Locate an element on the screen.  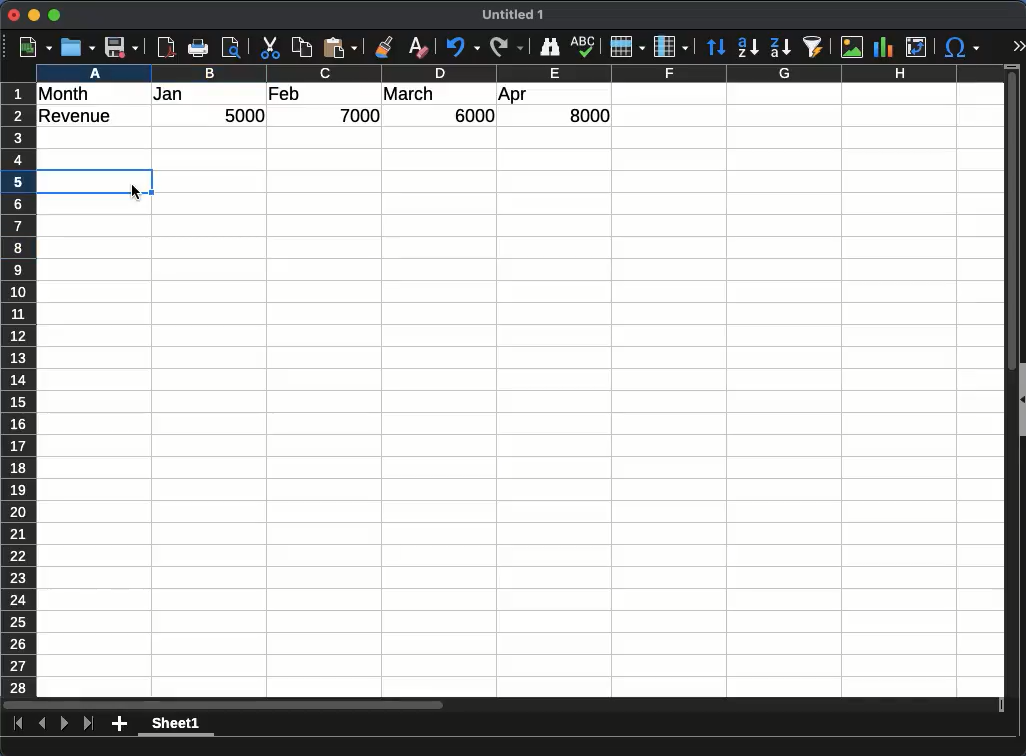
maximize is located at coordinates (54, 15).